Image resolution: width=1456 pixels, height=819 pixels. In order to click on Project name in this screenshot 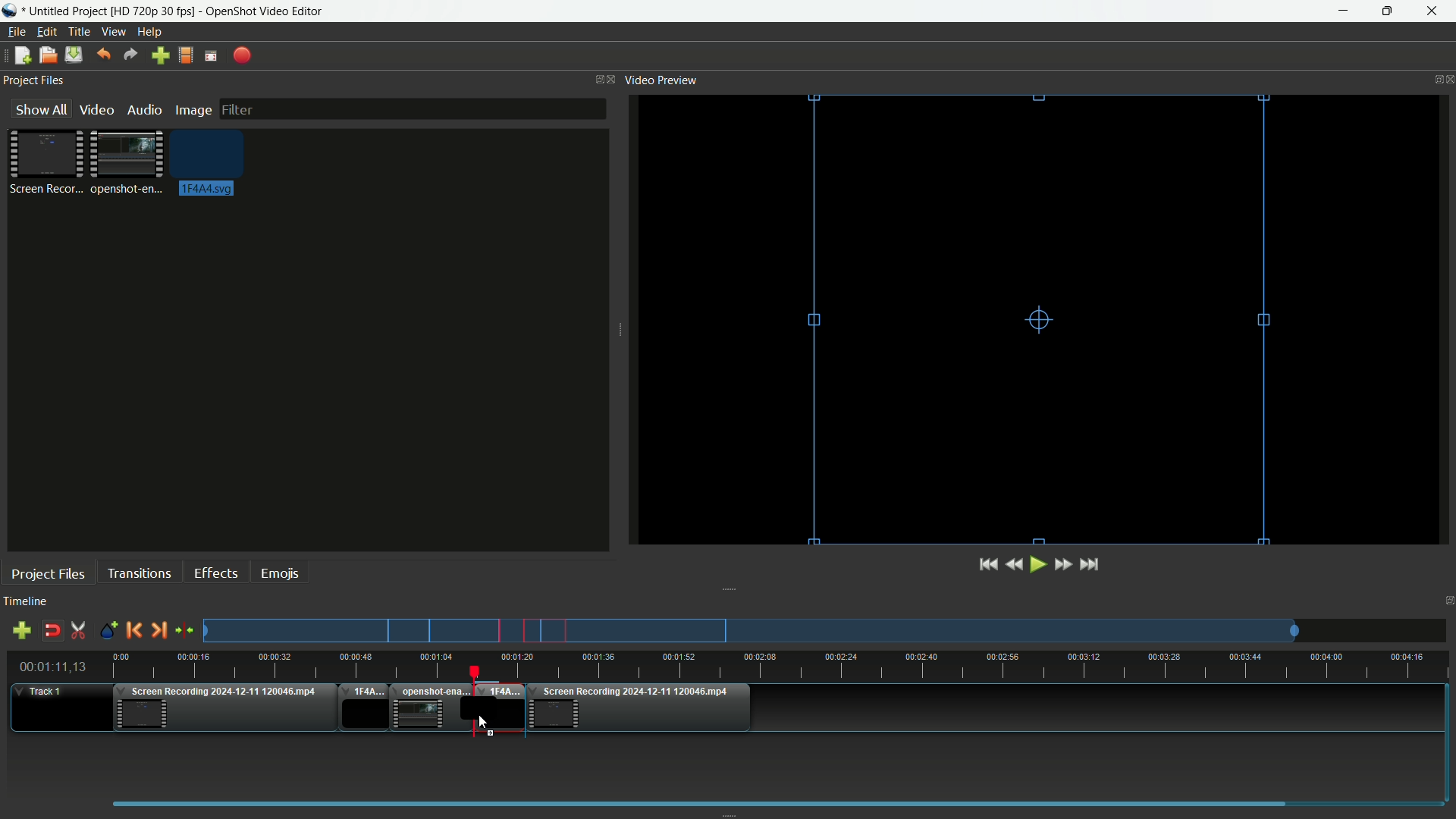, I will do `click(67, 11)`.